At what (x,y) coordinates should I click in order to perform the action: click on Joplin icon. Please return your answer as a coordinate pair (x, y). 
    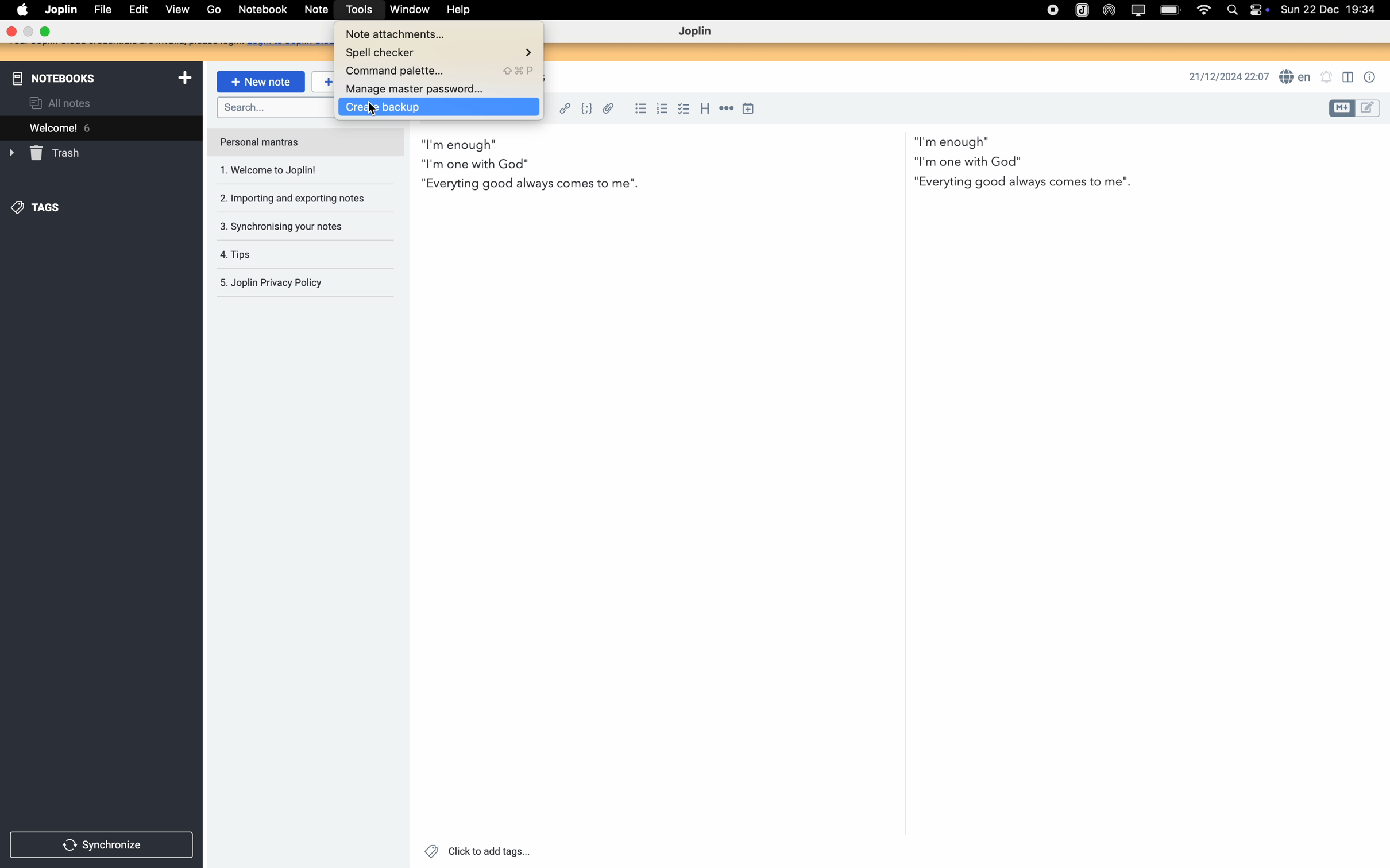
    Looking at the image, I should click on (1082, 10).